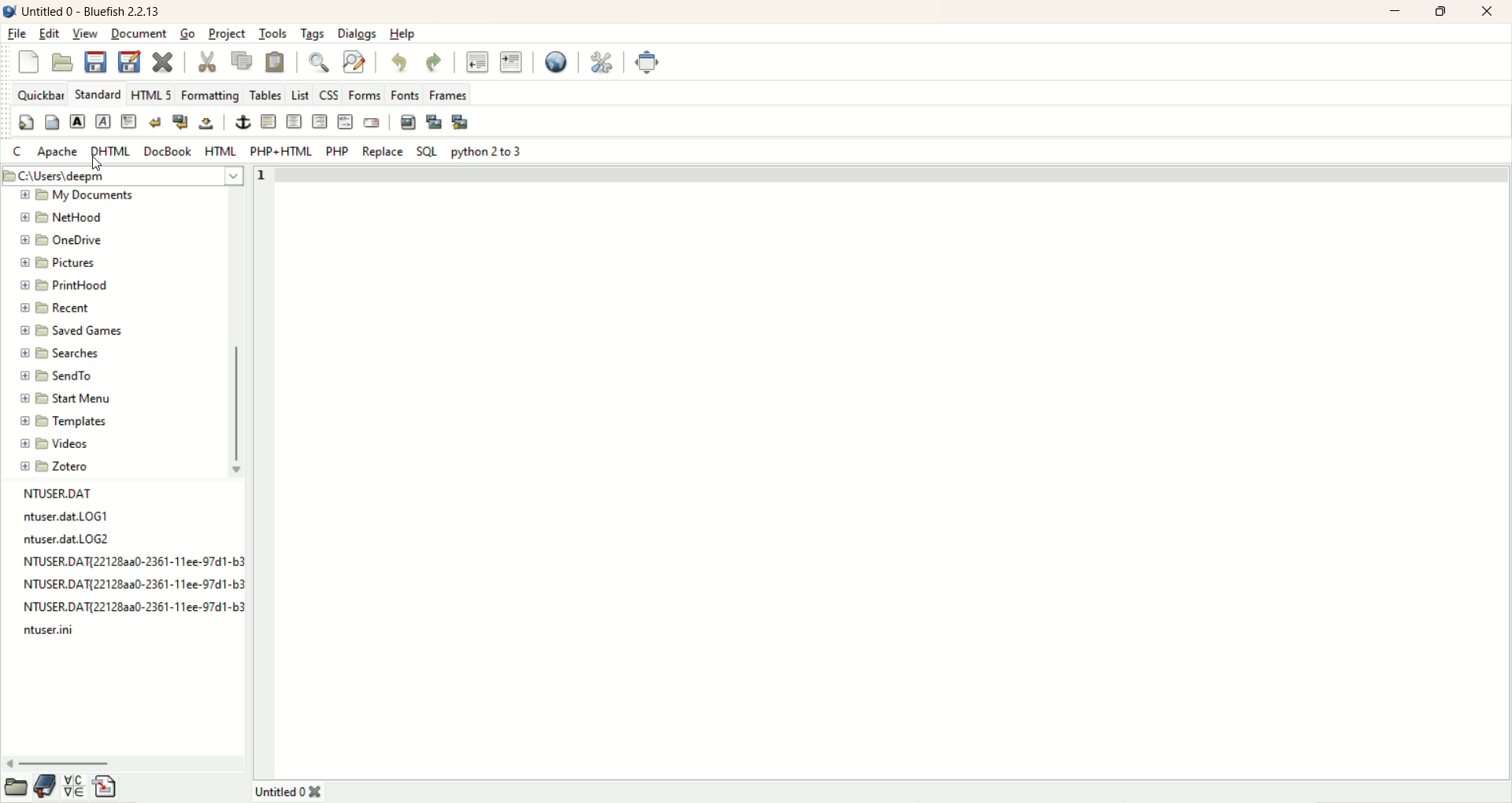 This screenshot has height=803, width=1512. I want to click on replace, so click(382, 153).